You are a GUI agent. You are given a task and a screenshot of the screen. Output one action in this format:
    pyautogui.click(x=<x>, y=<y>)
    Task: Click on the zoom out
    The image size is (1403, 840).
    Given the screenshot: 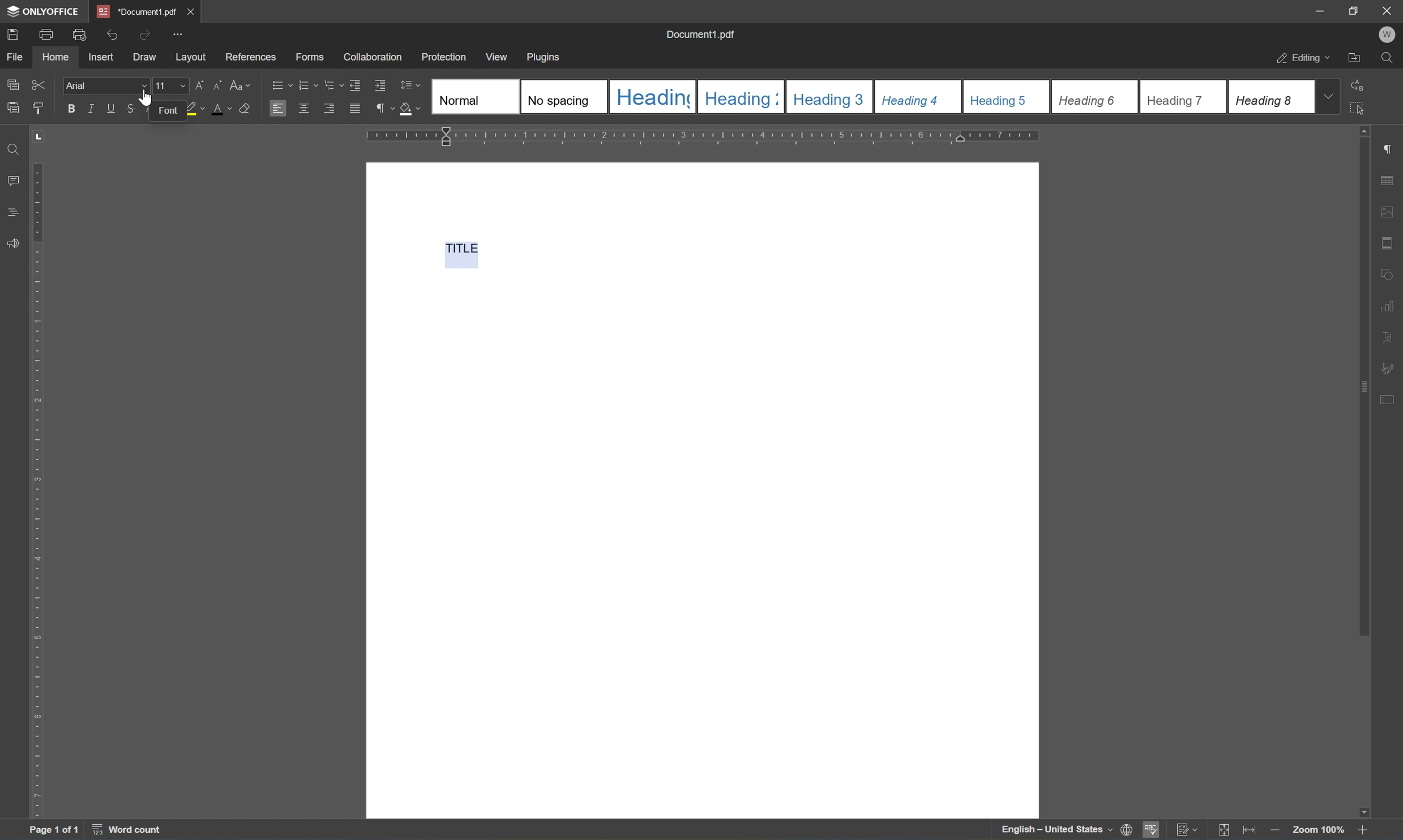 What is the action you would take?
    pyautogui.click(x=1274, y=830)
    